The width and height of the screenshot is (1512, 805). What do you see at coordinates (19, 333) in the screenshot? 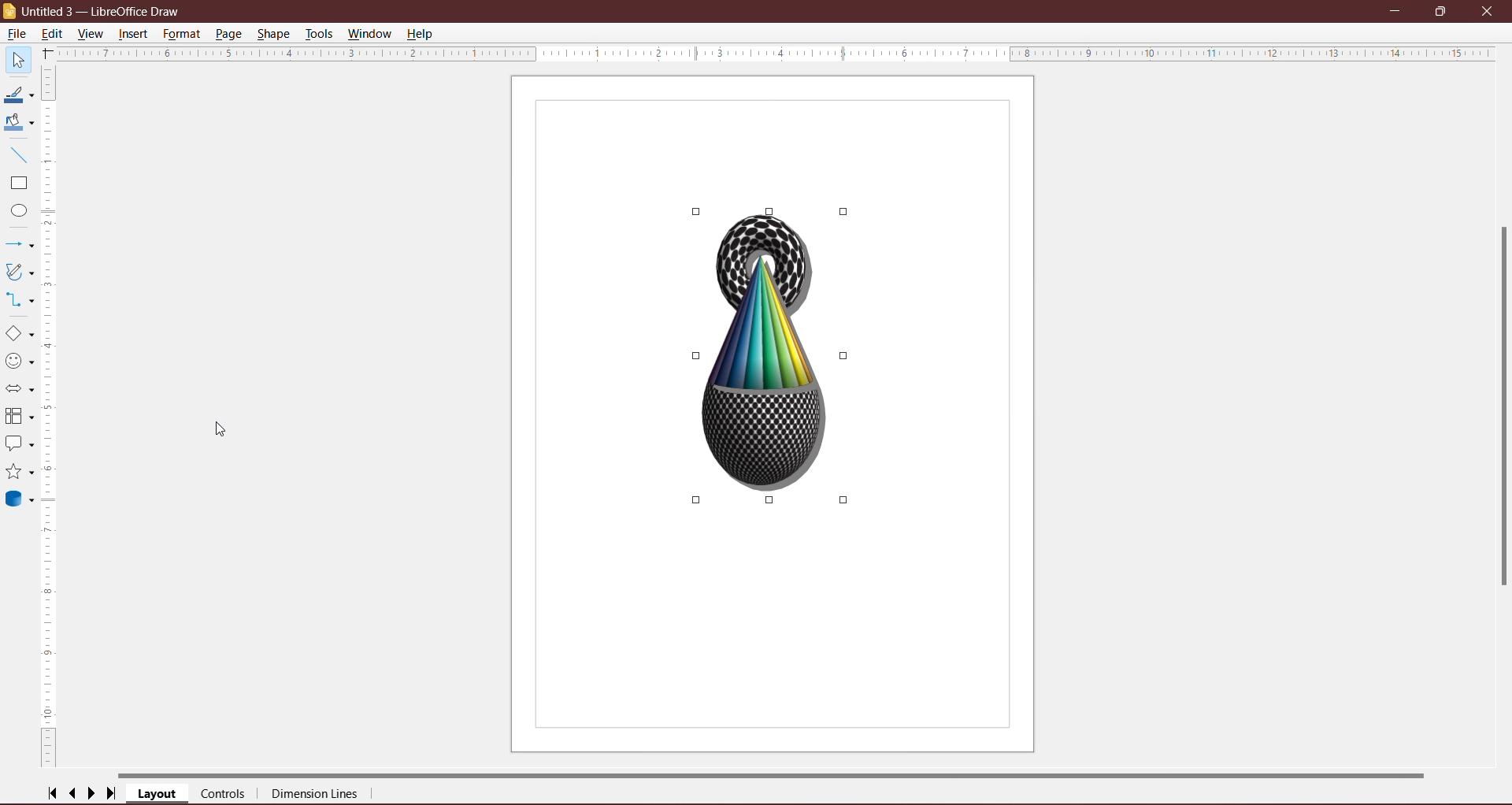
I see `Basic Shapes` at bounding box center [19, 333].